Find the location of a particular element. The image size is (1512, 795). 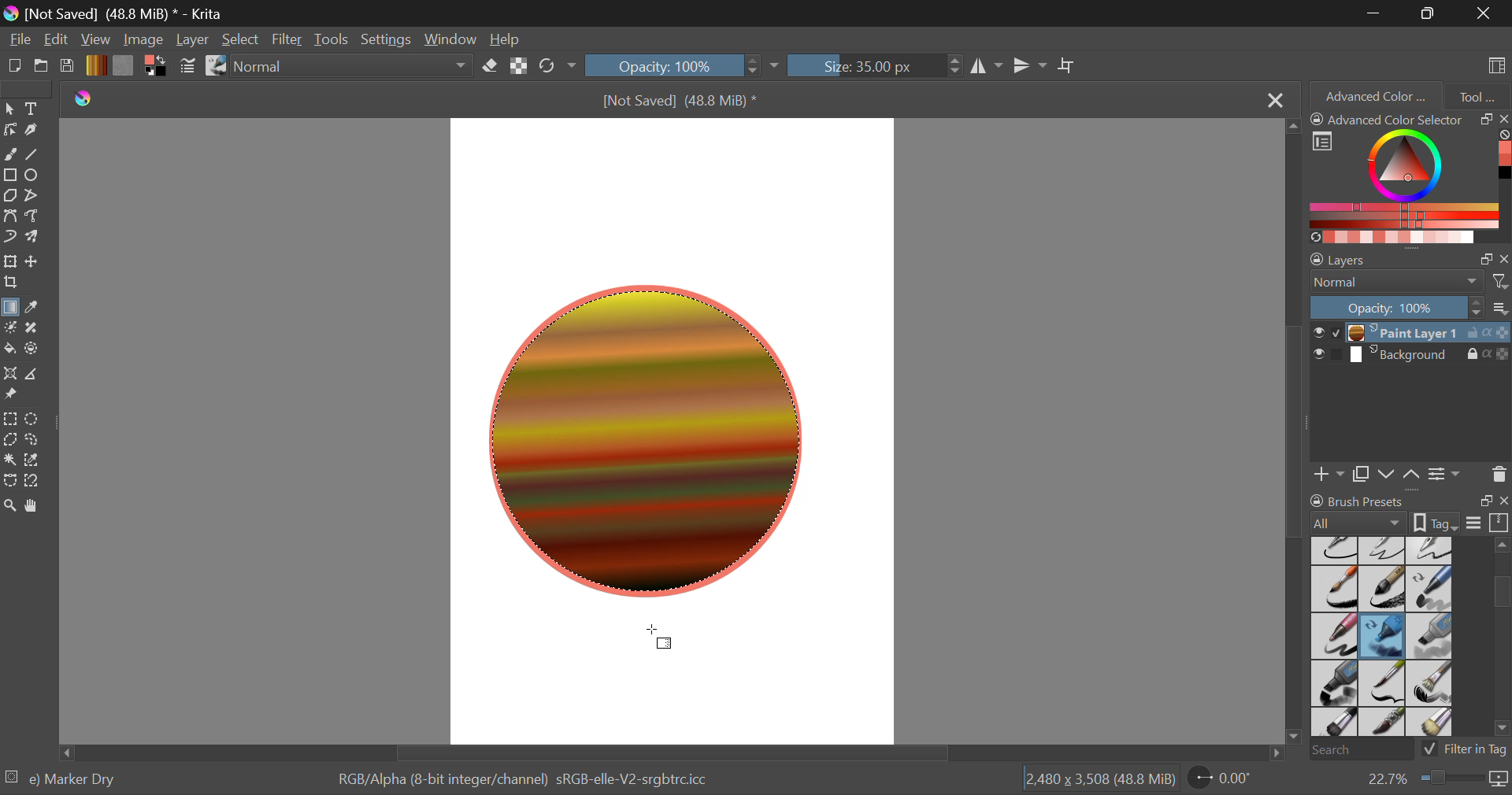

Tool is located at coordinates (1477, 94).